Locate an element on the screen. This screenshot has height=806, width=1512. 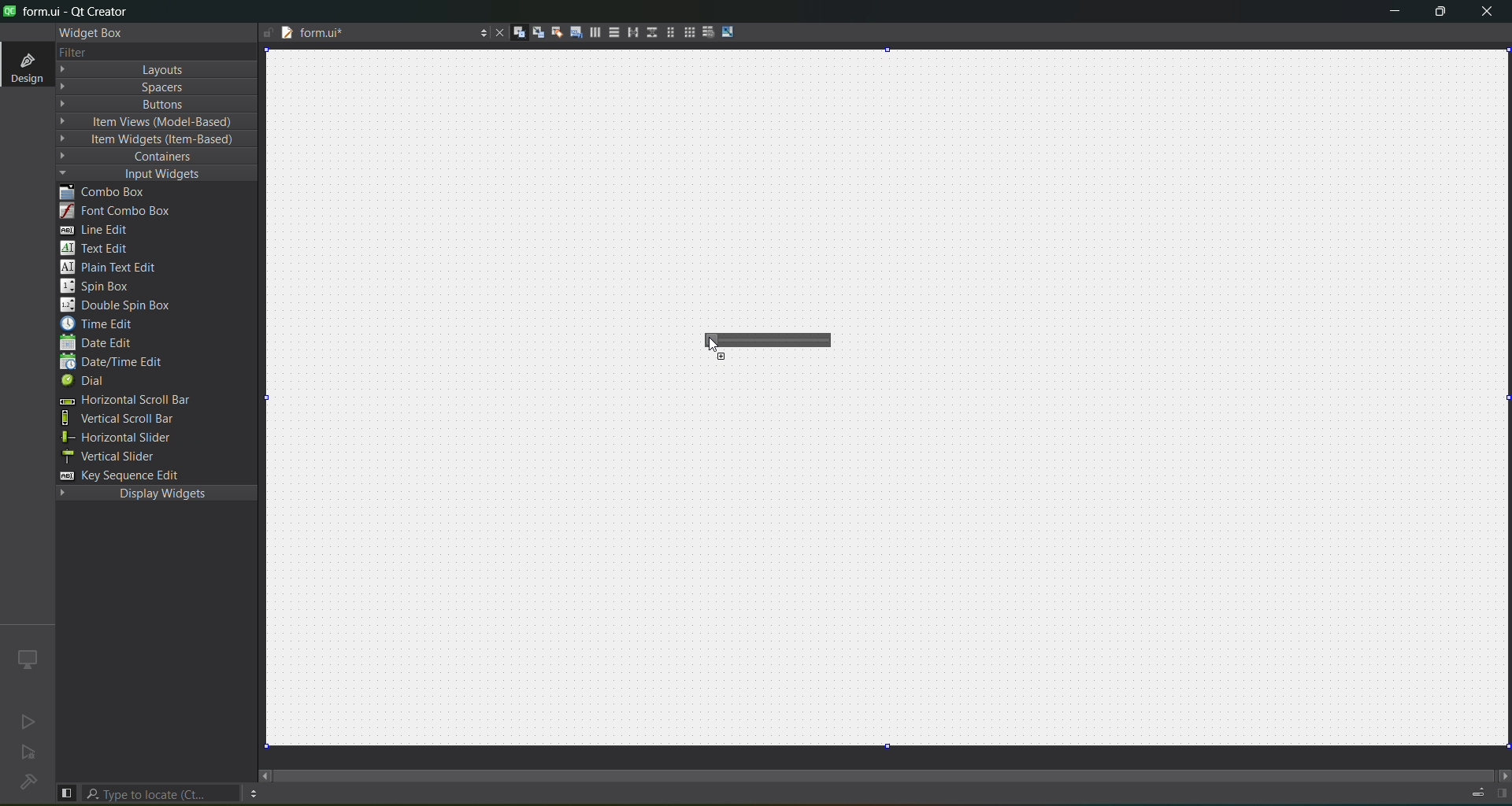
item widget is located at coordinates (150, 139).